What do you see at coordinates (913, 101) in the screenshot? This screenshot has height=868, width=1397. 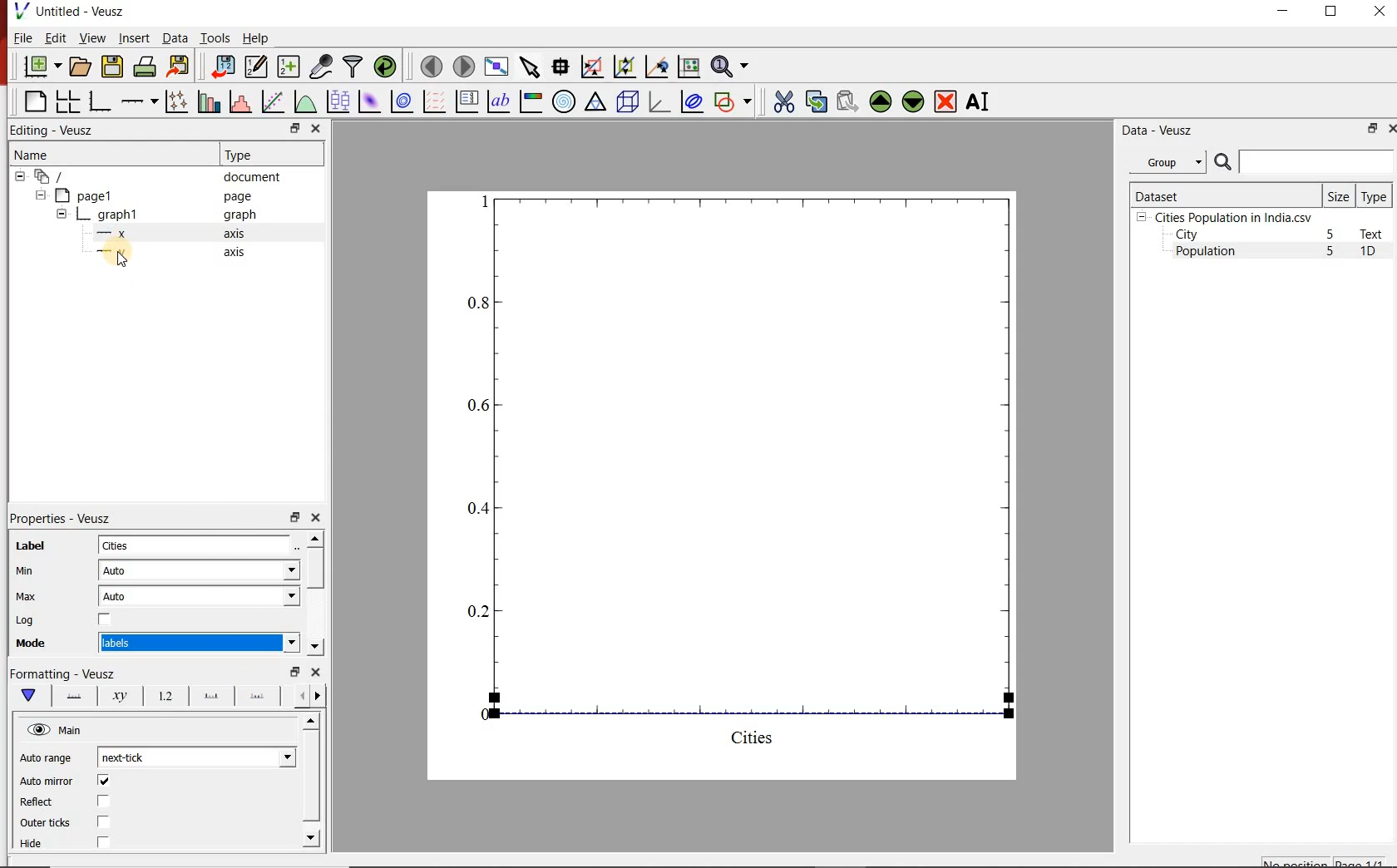 I see `move the selected widget down` at bounding box center [913, 101].